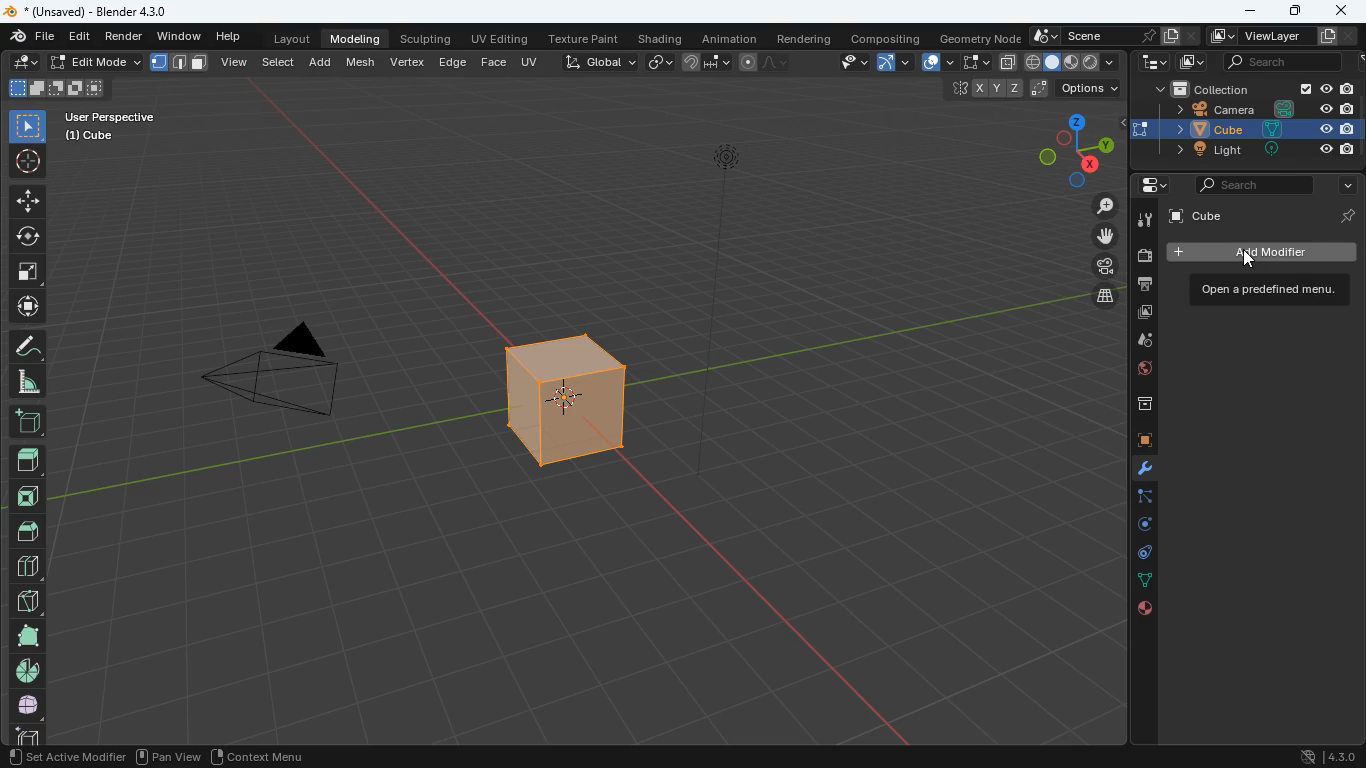  Describe the element at coordinates (361, 62) in the screenshot. I see `mesh` at that location.